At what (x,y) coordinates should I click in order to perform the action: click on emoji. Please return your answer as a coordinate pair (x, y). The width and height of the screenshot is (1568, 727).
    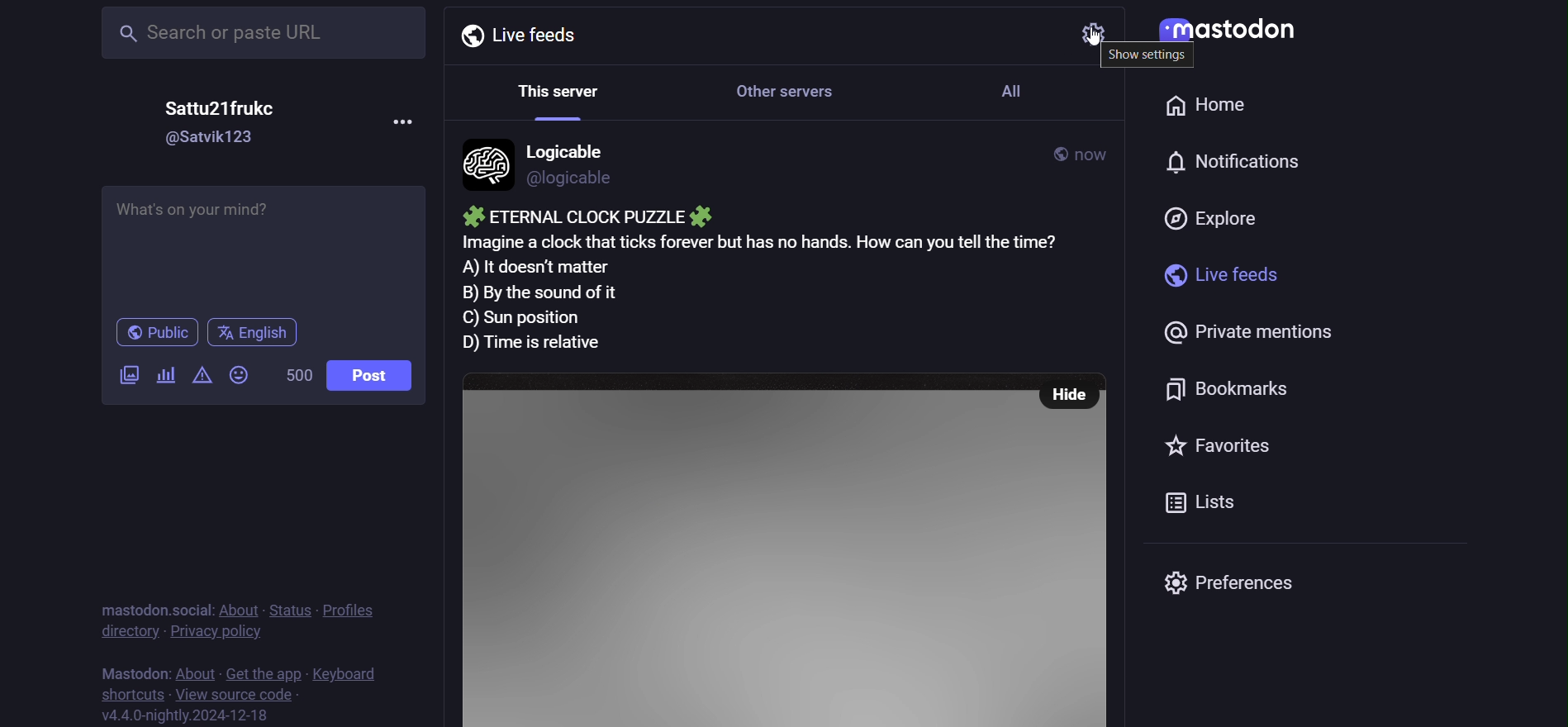
    Looking at the image, I should click on (236, 374).